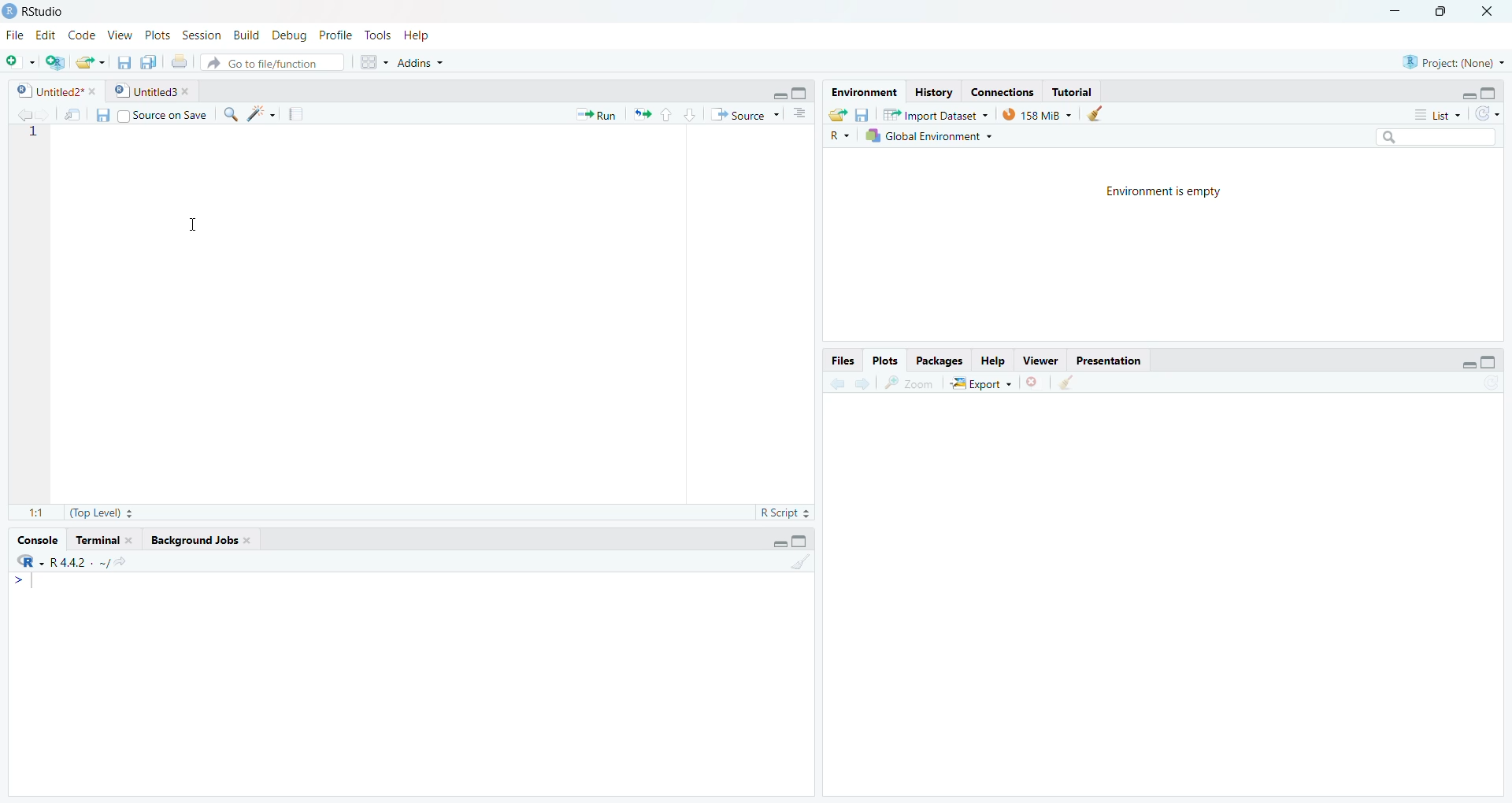 The width and height of the screenshot is (1512, 803). I want to click on , so click(675, 113).